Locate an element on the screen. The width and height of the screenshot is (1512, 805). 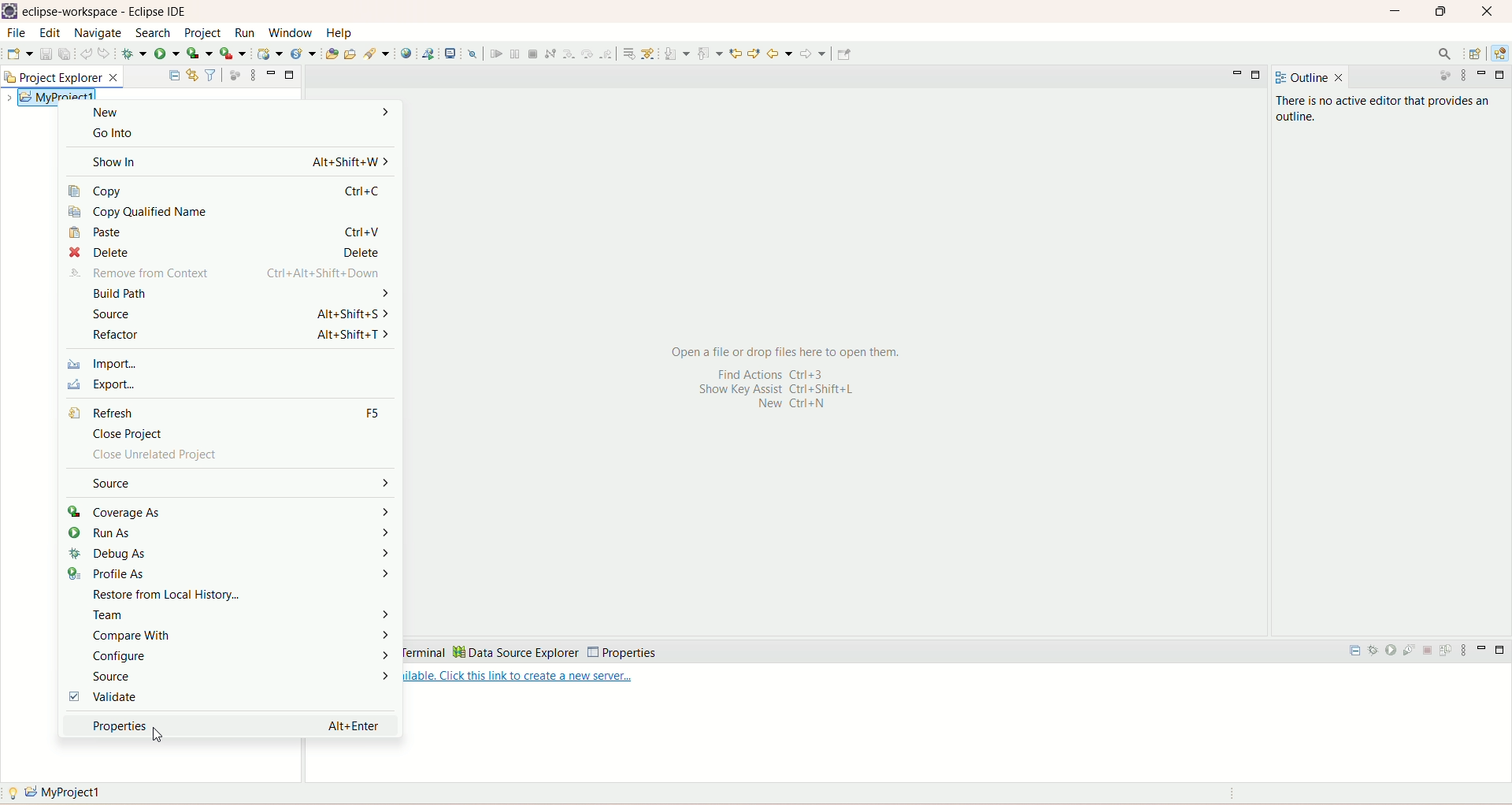
show in is located at coordinates (228, 161).